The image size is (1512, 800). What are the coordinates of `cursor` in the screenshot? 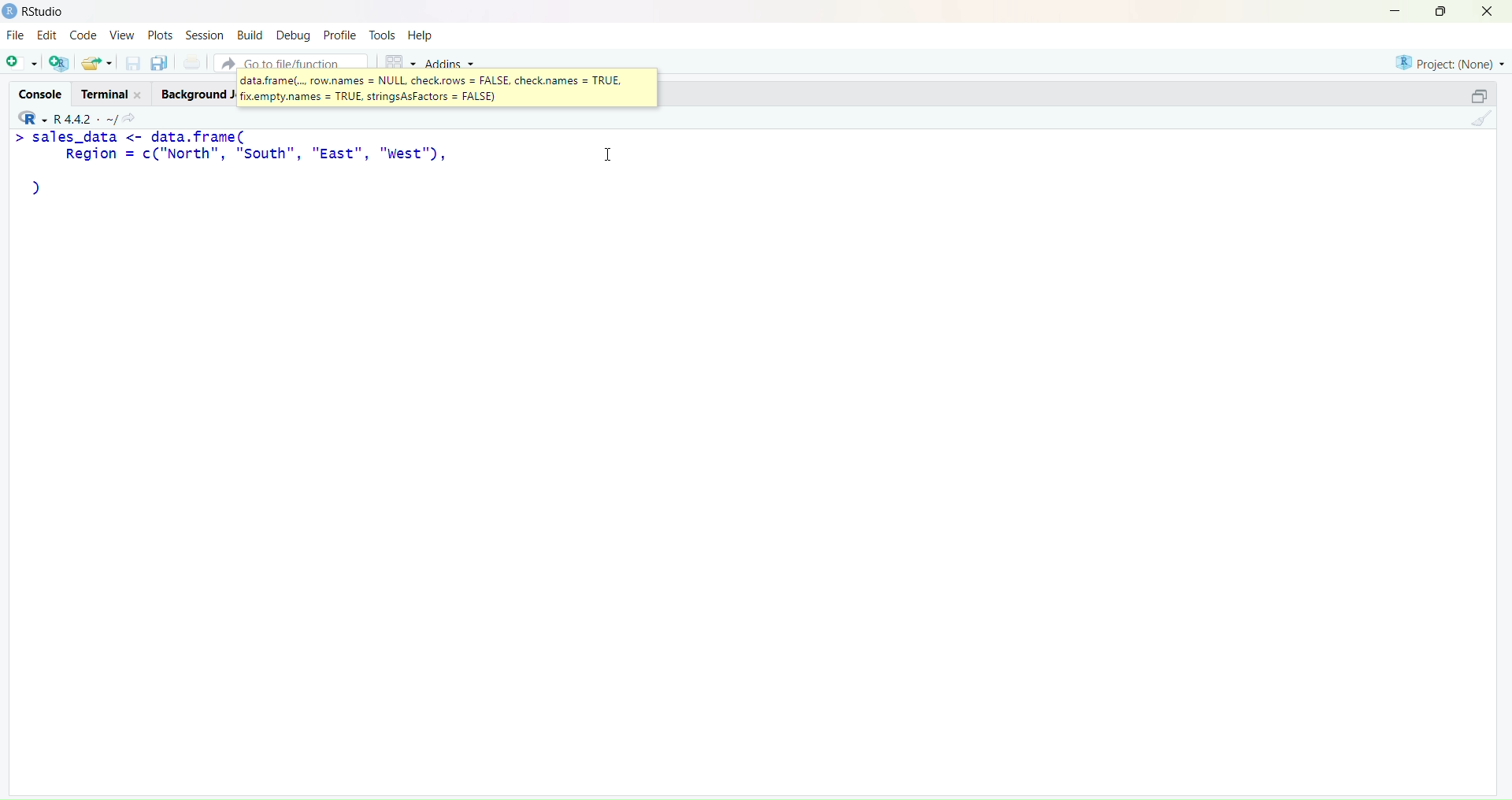 It's located at (608, 155).